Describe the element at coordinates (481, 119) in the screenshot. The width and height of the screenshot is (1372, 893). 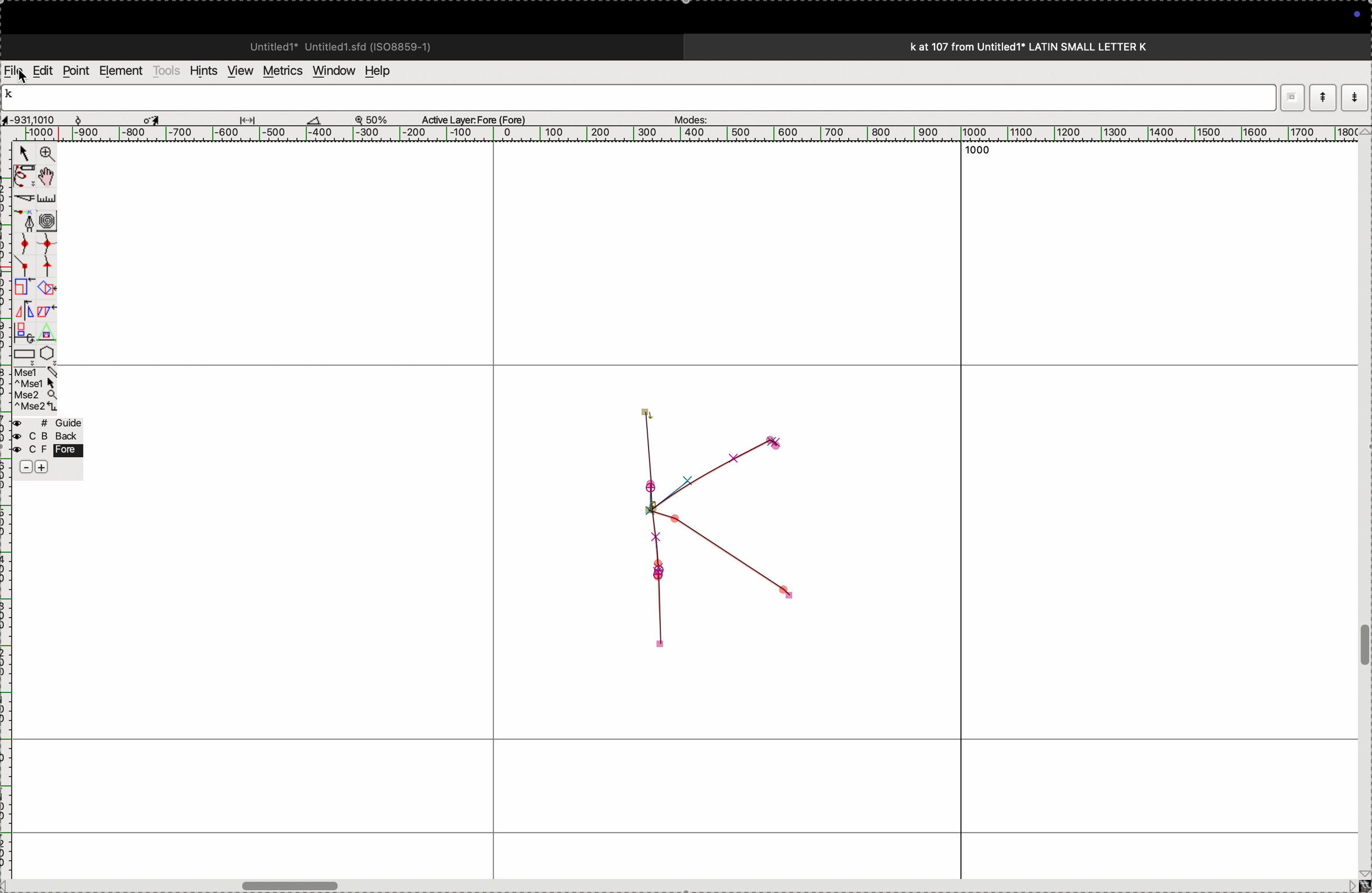
I see `active kayer` at that location.